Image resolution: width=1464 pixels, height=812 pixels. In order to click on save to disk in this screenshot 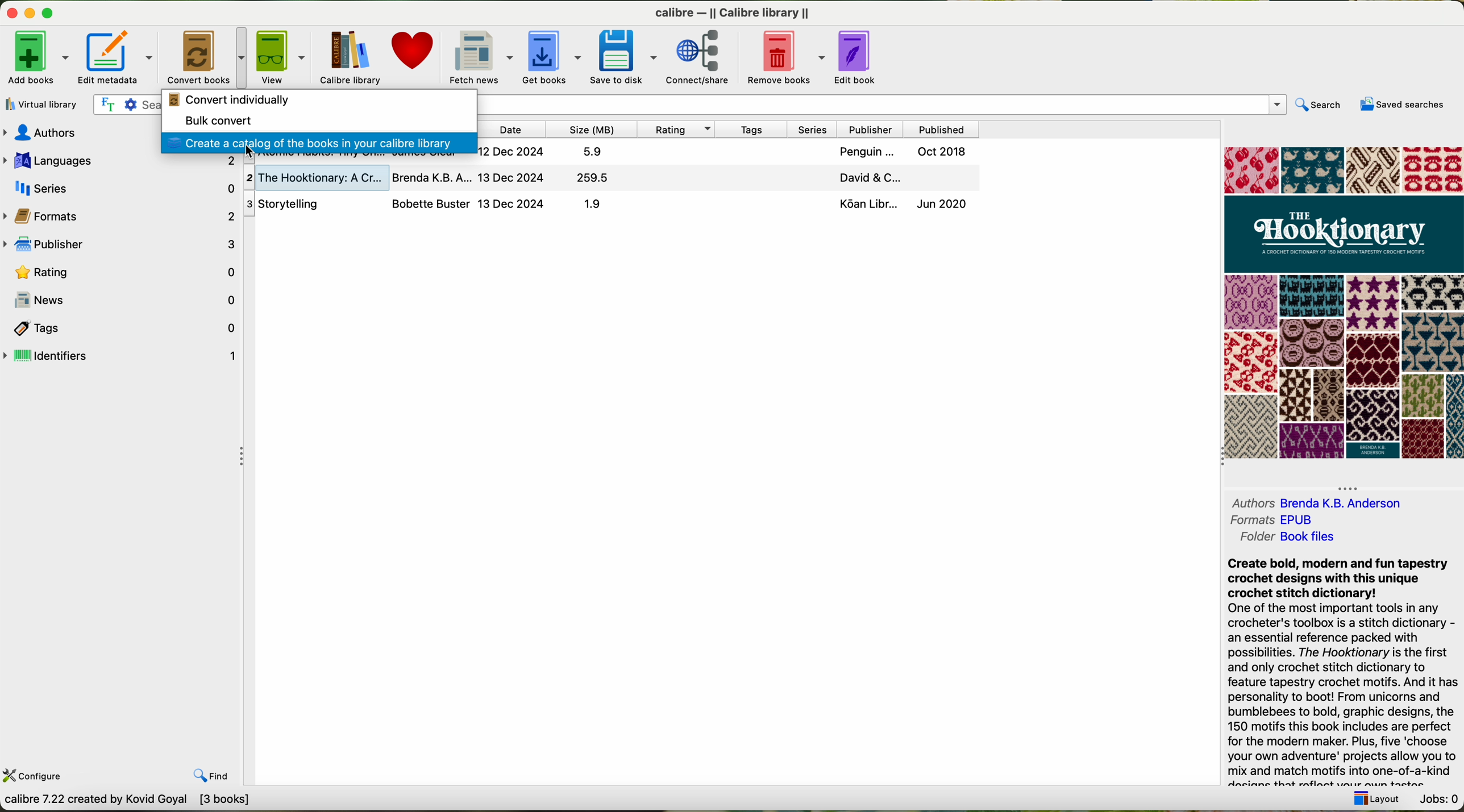, I will do `click(623, 57)`.